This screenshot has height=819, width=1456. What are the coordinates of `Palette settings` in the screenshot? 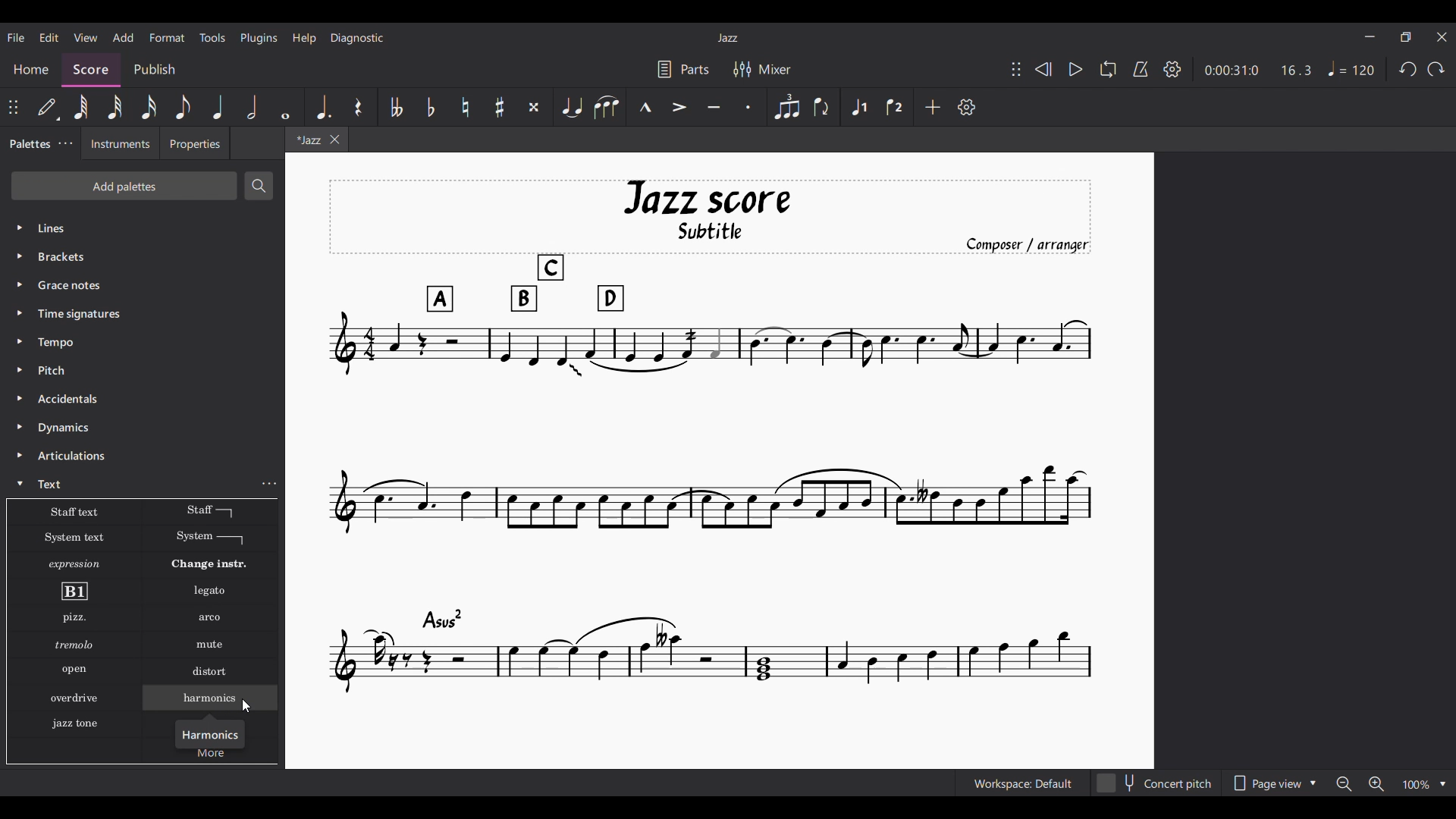 It's located at (65, 143).